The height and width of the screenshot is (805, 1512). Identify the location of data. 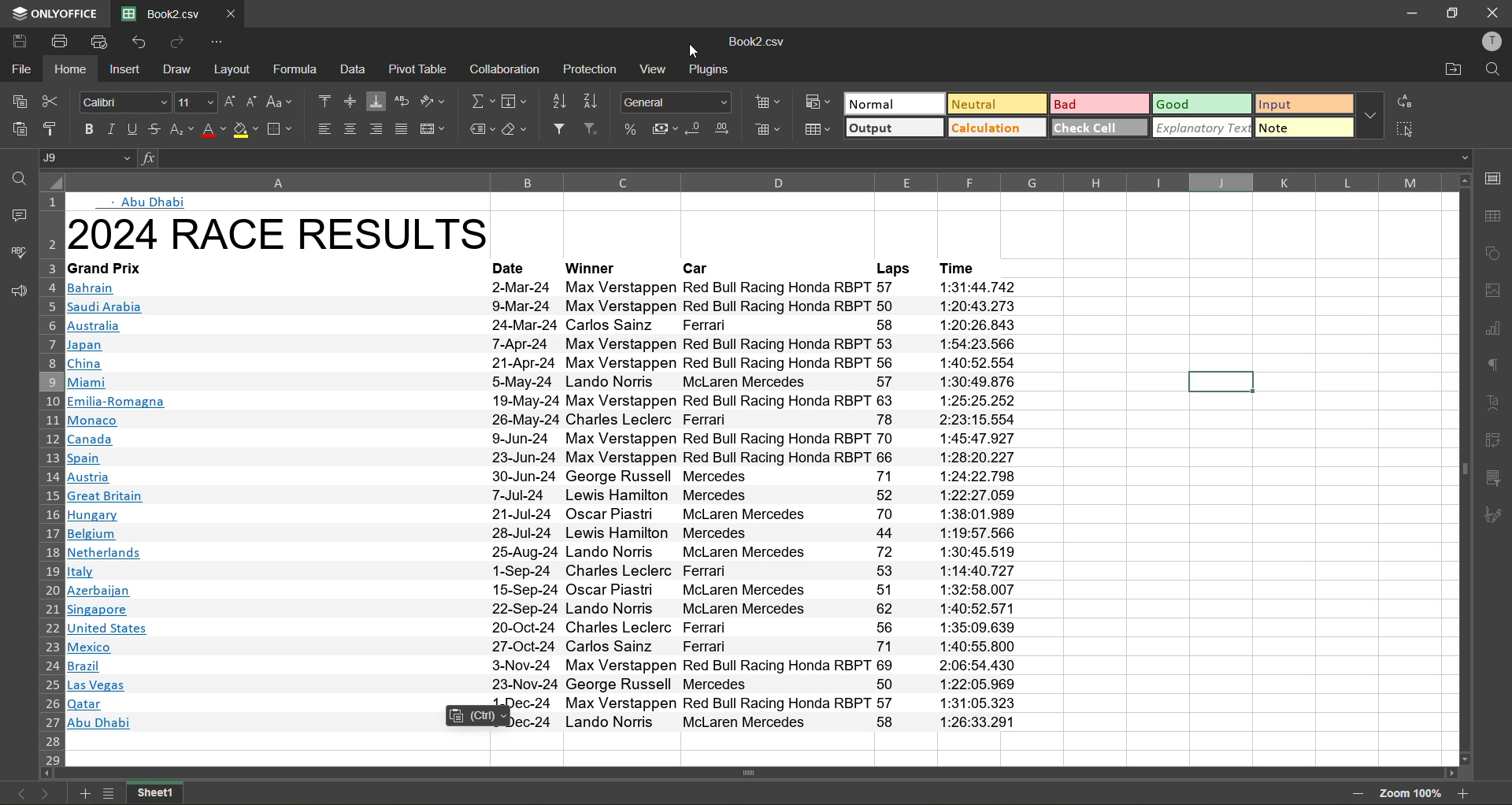
(354, 70).